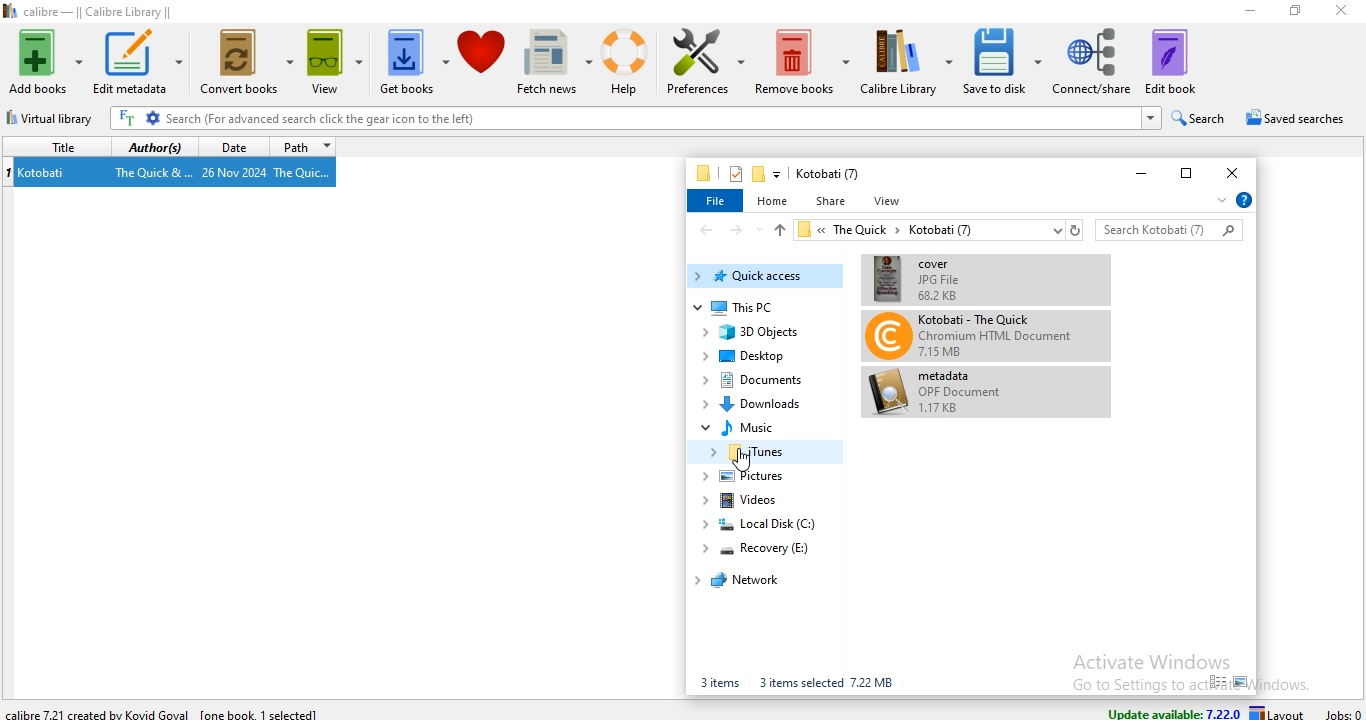 This screenshot has height=720, width=1366. I want to click on properties, so click(734, 173).